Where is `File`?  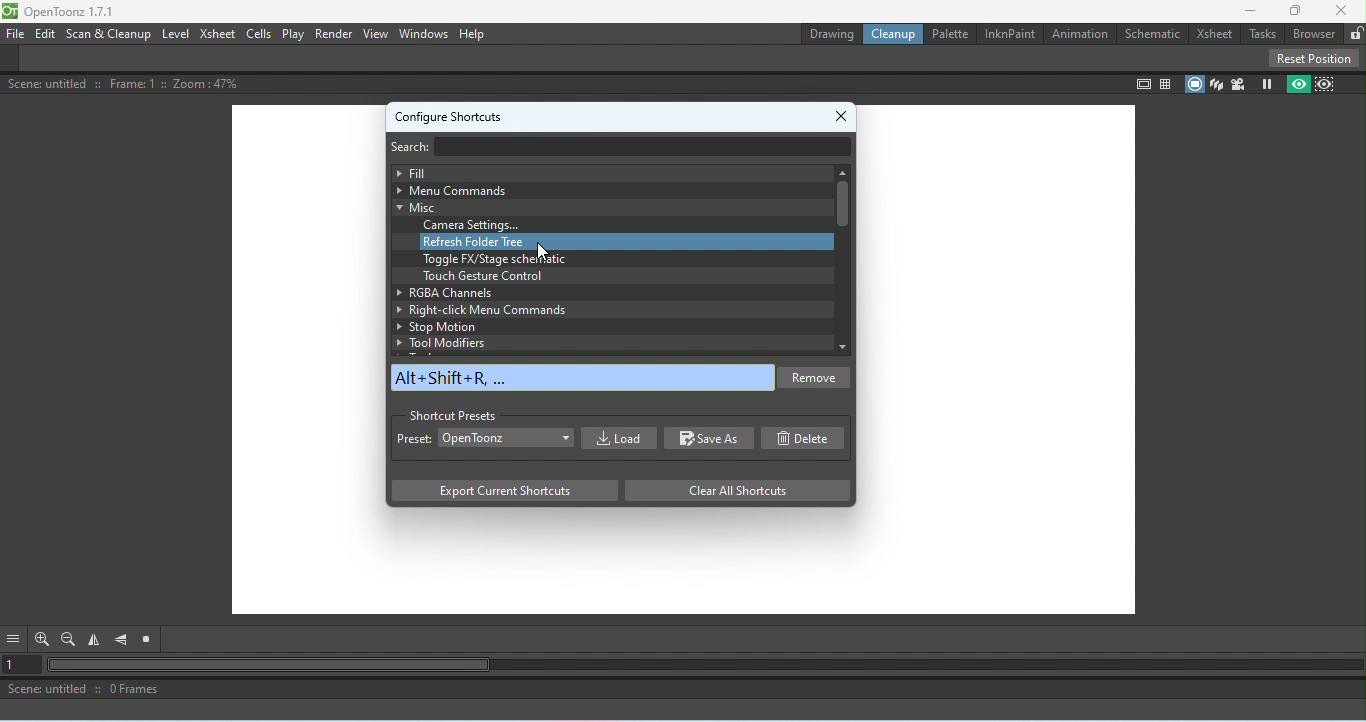 File is located at coordinates (16, 33).